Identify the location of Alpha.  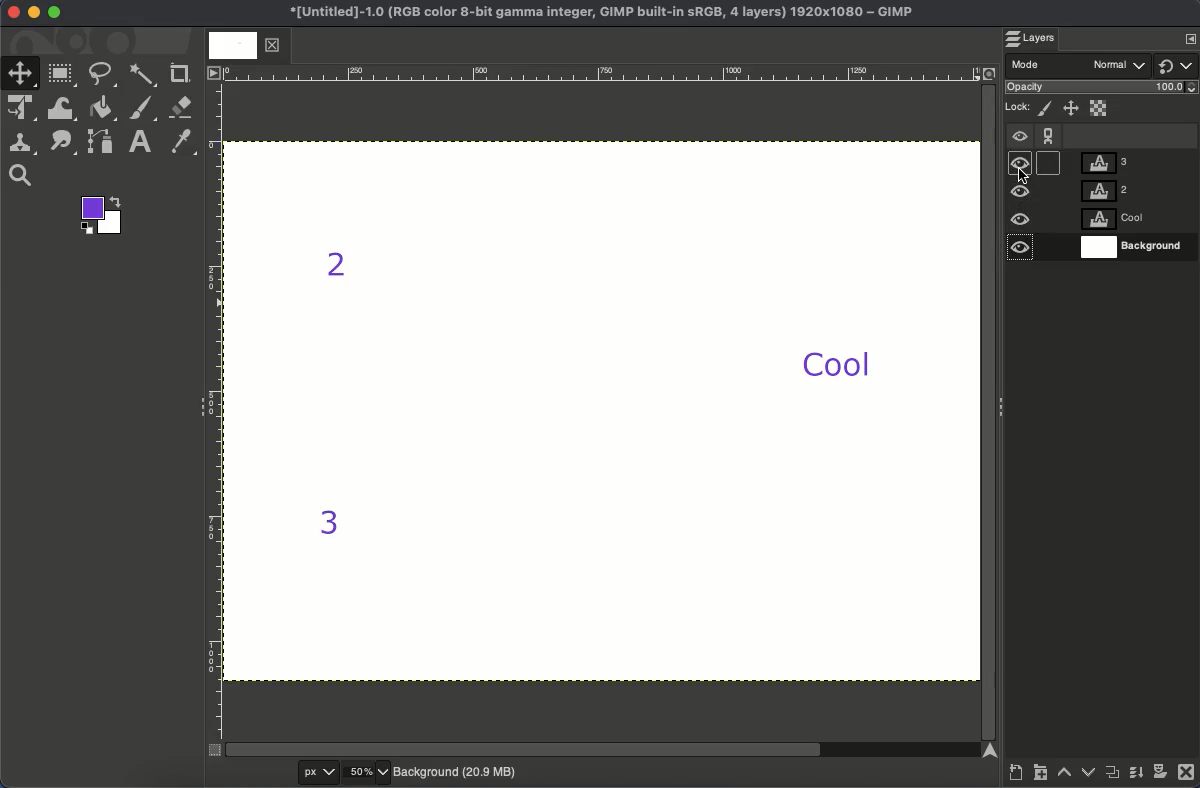
(1100, 107).